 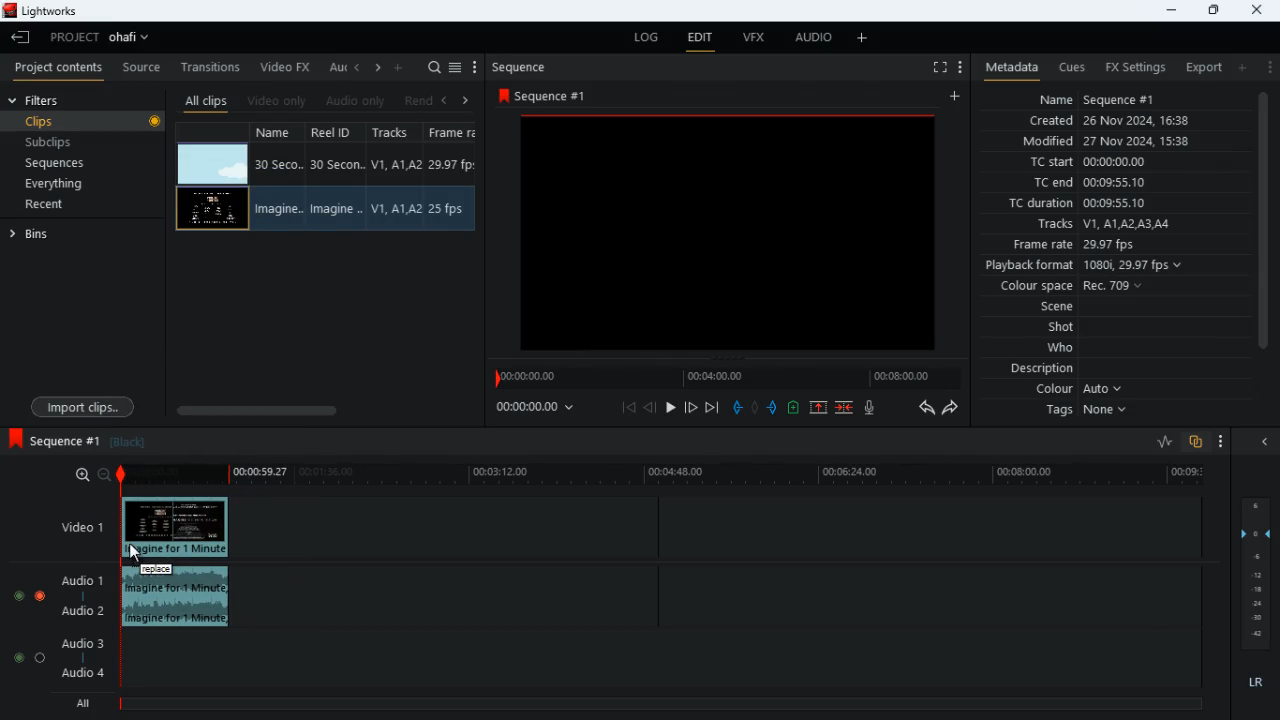 What do you see at coordinates (60, 186) in the screenshot?
I see `everything` at bounding box center [60, 186].